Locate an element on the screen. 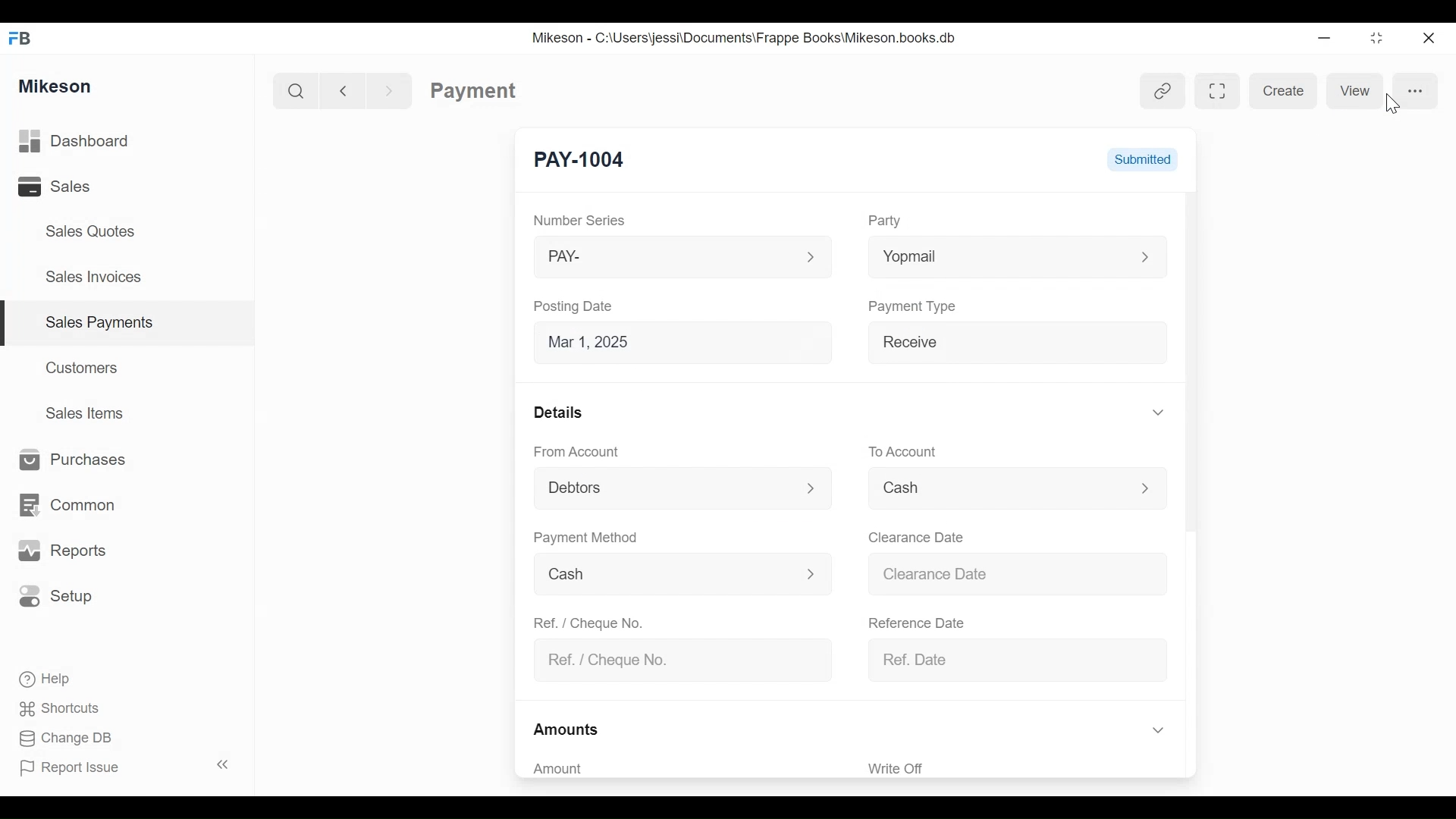  Write Off is located at coordinates (896, 768).